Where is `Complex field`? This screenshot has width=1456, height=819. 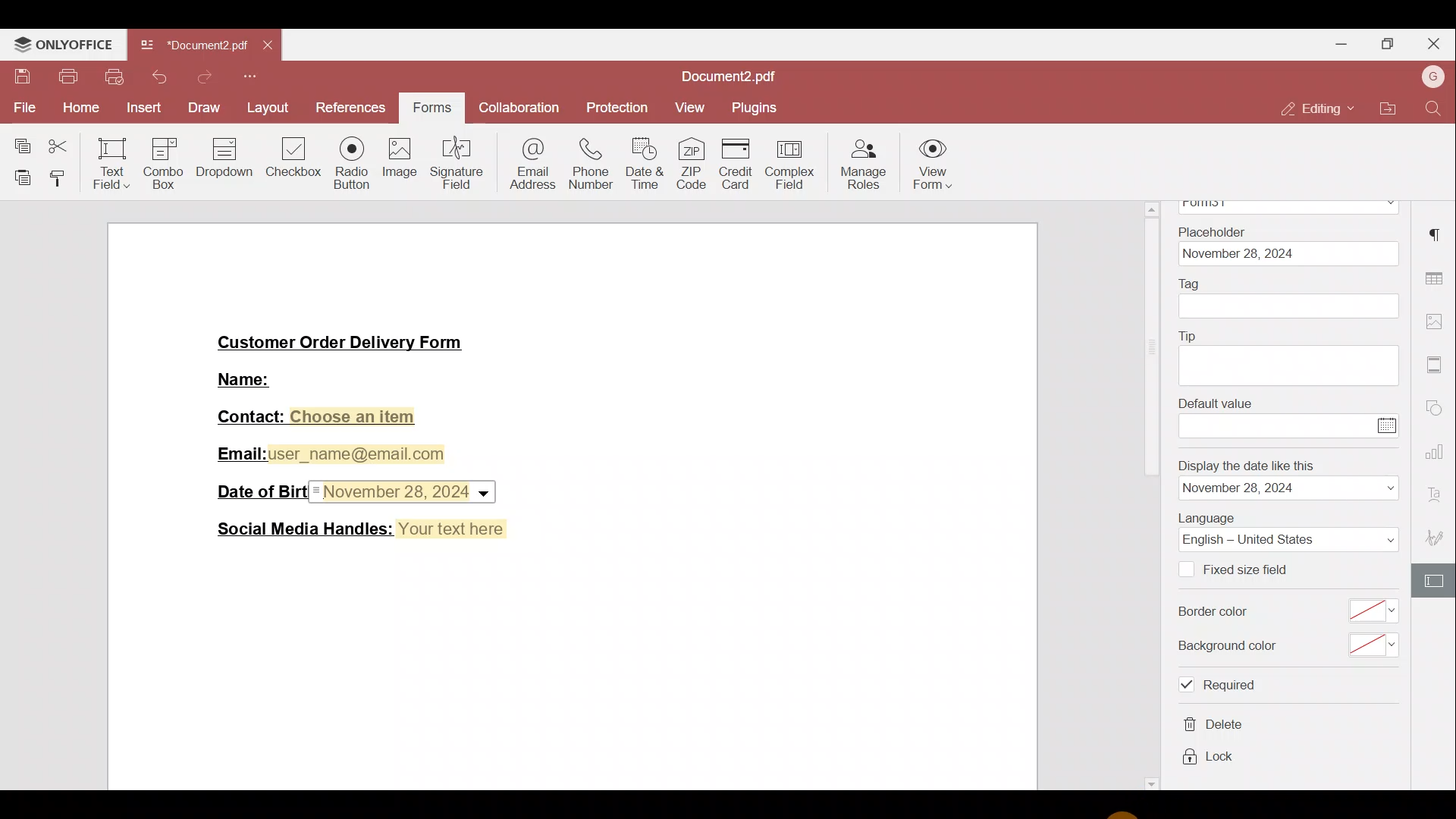 Complex field is located at coordinates (791, 165).